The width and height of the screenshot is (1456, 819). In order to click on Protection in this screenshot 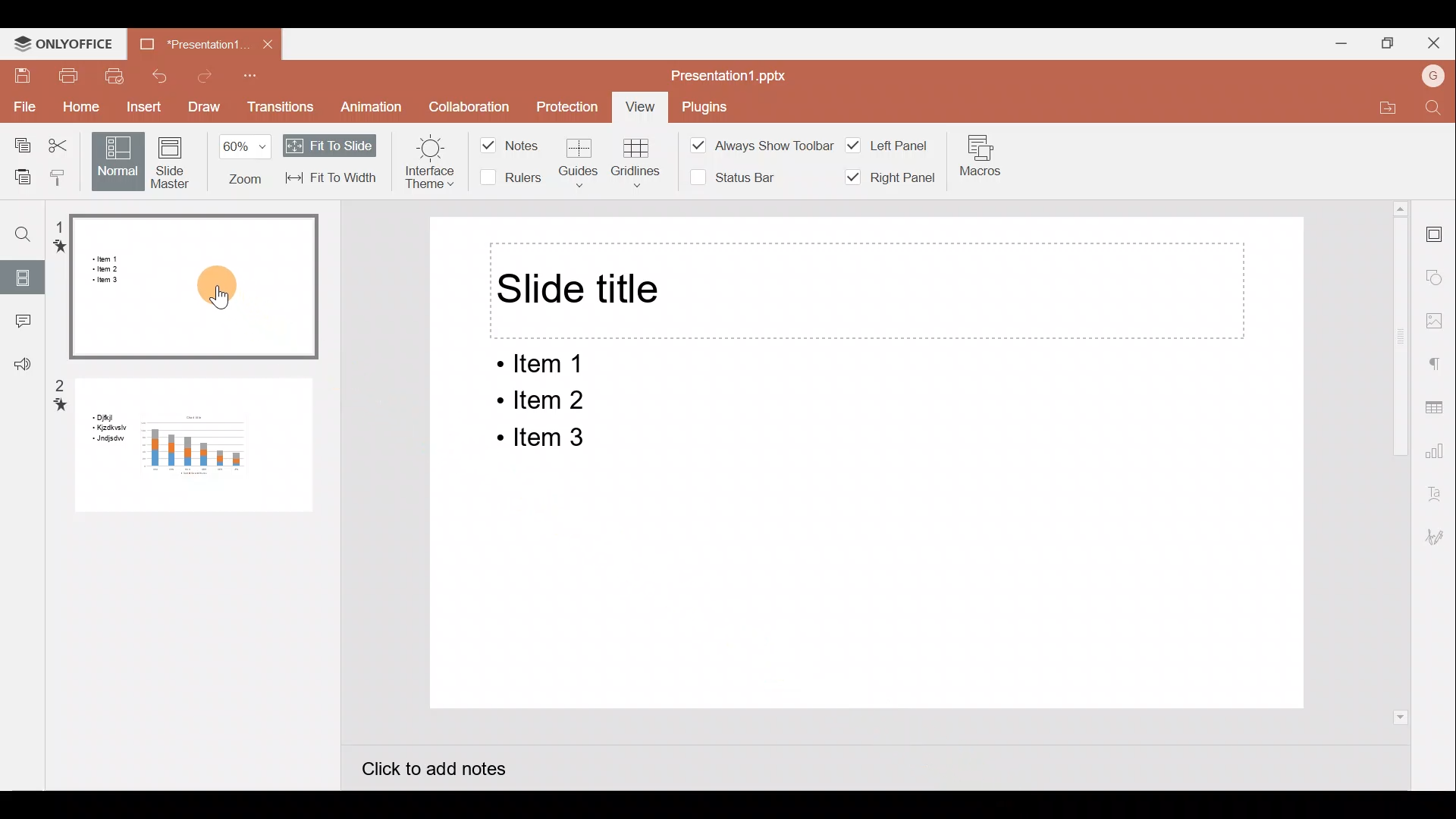, I will do `click(563, 104)`.